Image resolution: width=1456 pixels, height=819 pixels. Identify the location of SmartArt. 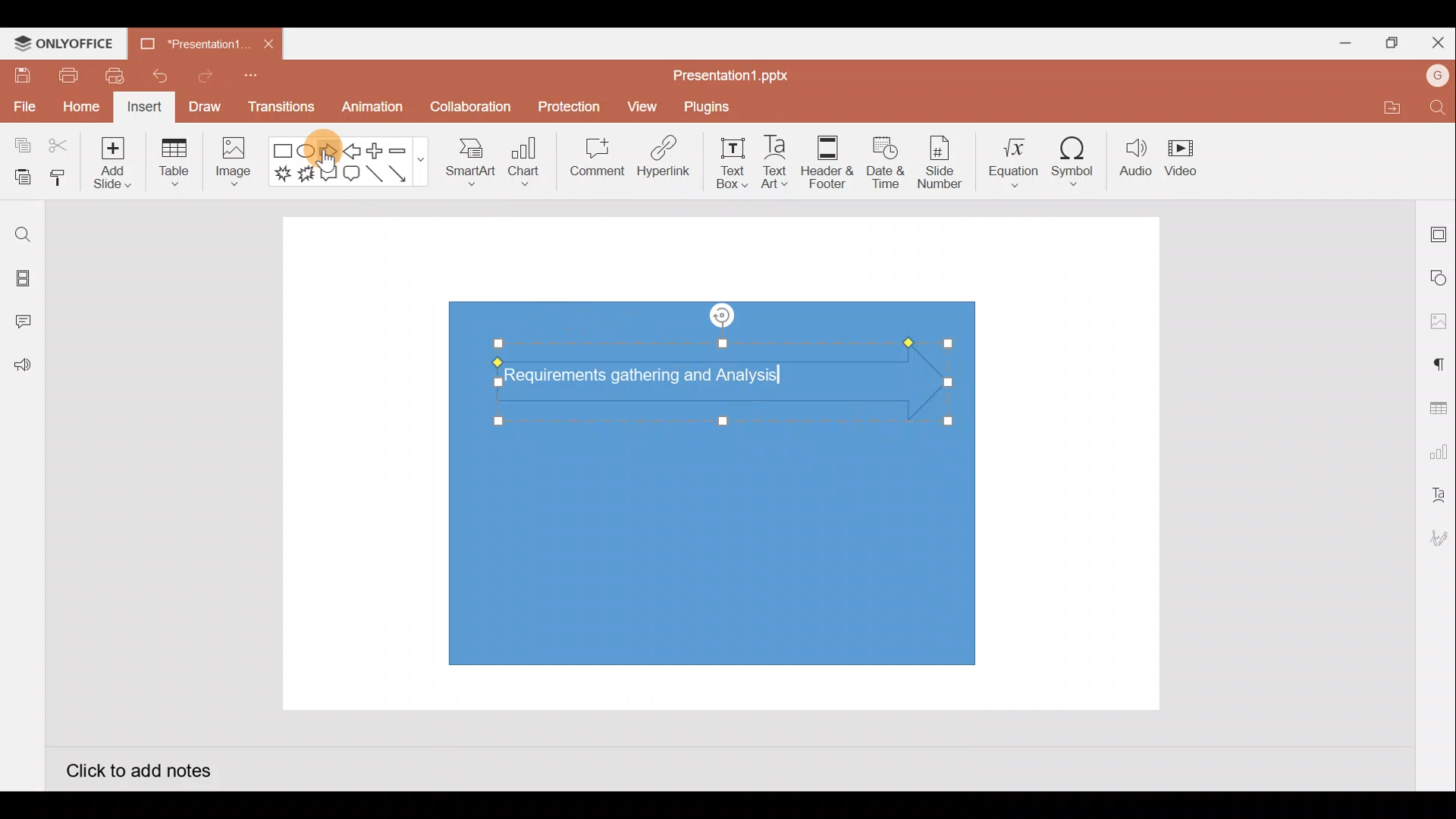
(469, 159).